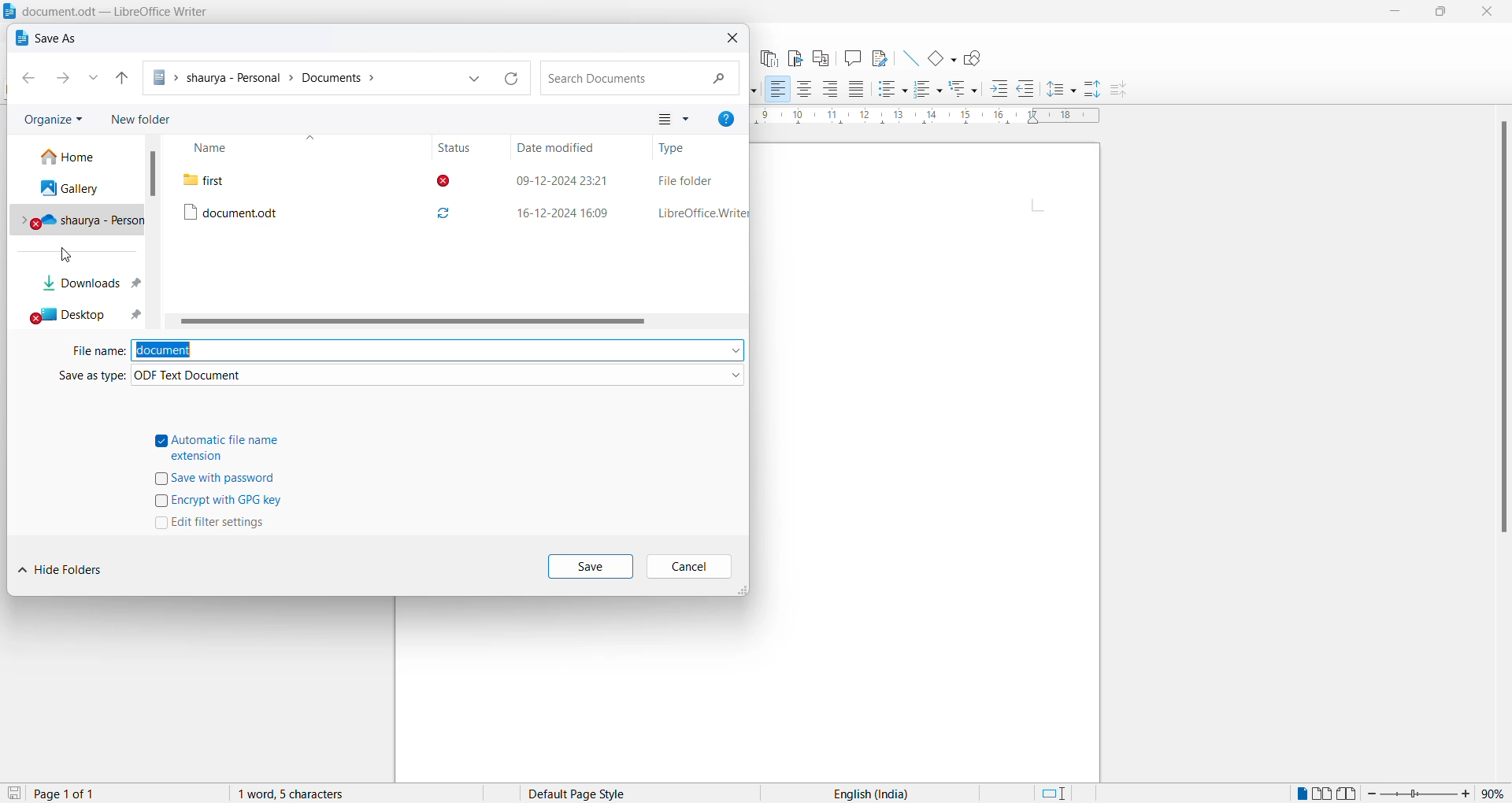 The image size is (1512, 803). I want to click on Search box, so click(639, 79).